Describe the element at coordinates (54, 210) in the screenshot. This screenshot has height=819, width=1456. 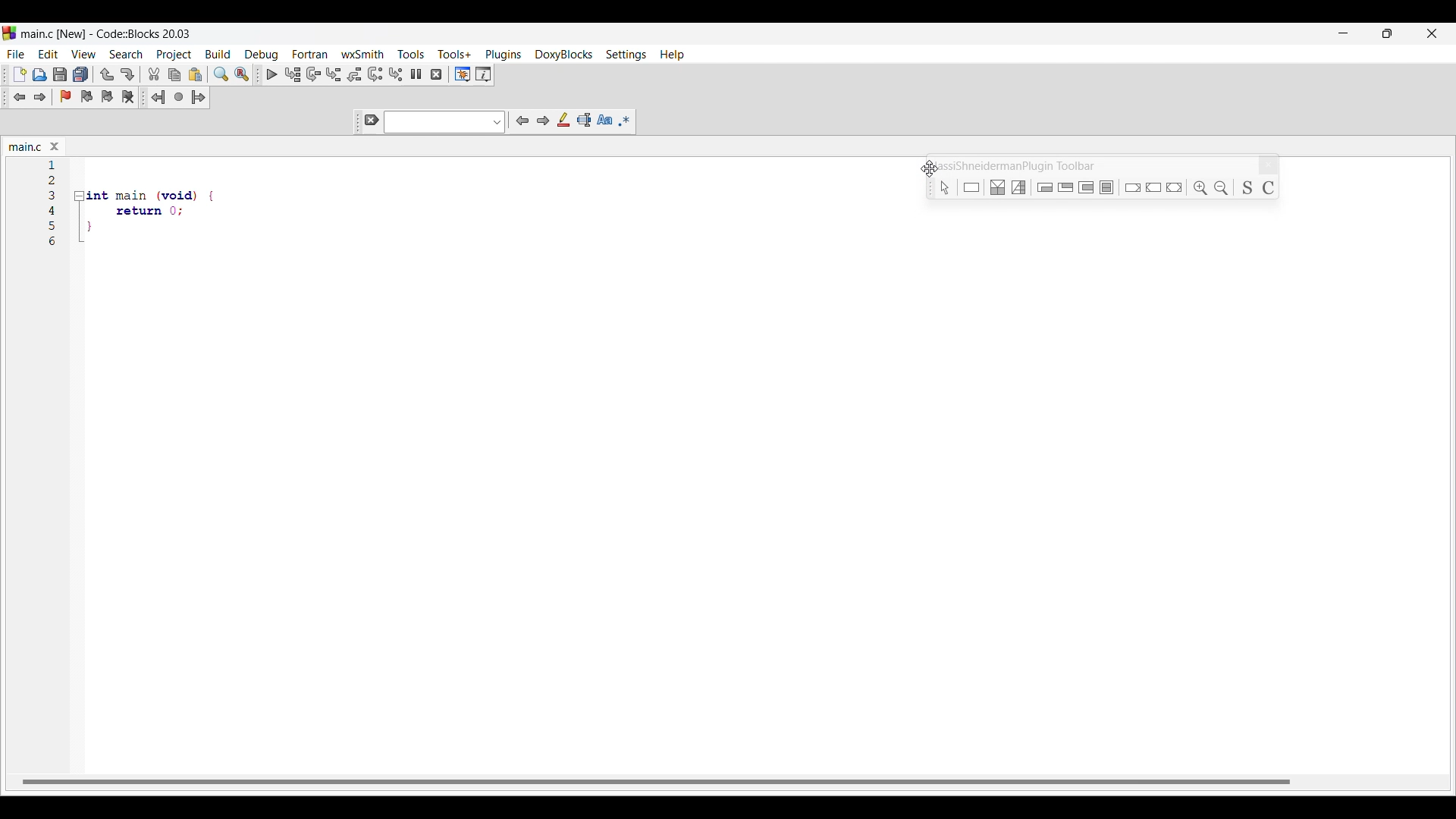
I see `` at that location.